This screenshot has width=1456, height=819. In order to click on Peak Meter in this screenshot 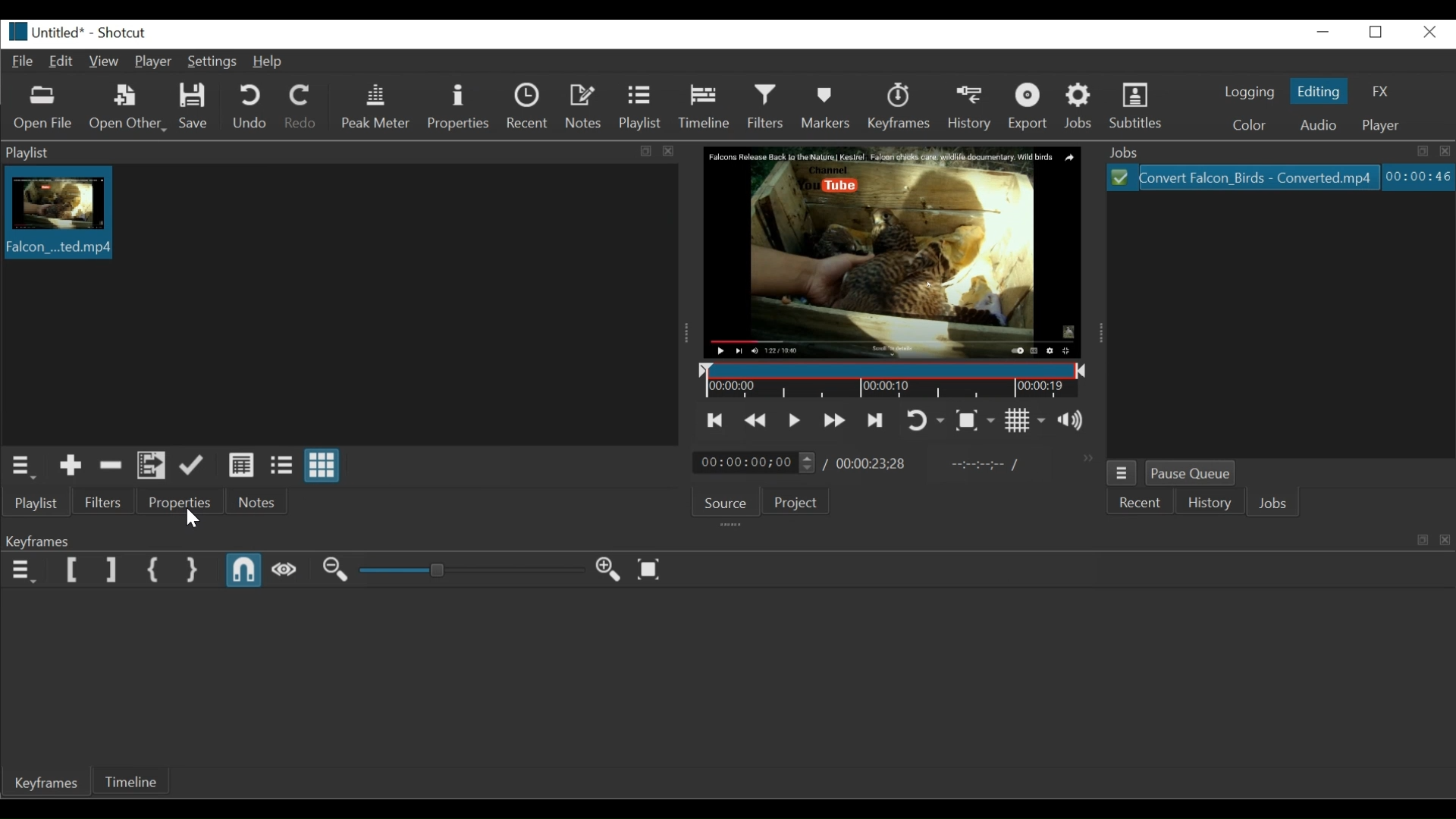, I will do `click(372, 108)`.